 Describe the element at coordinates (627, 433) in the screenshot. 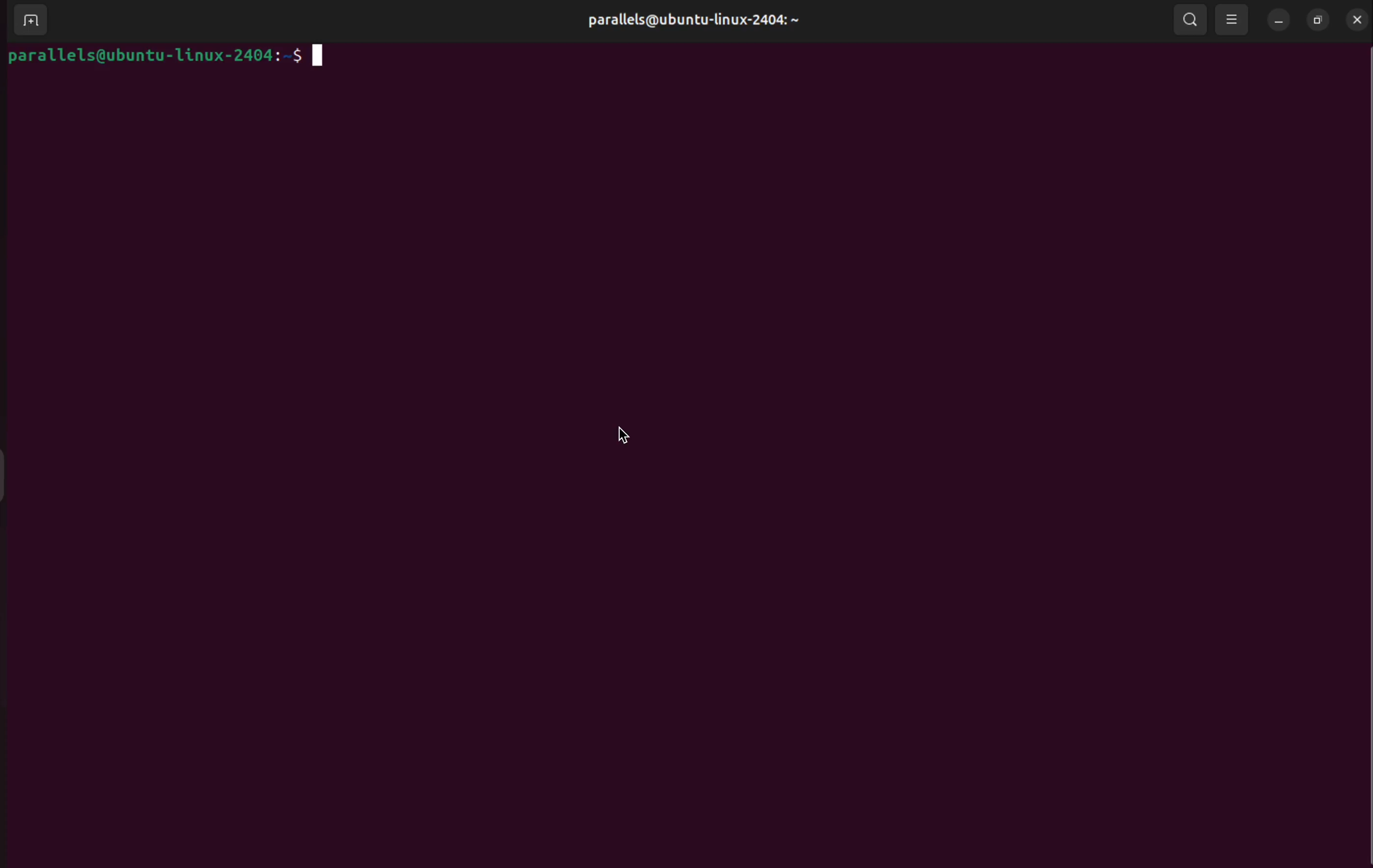

I see `cursor` at that location.